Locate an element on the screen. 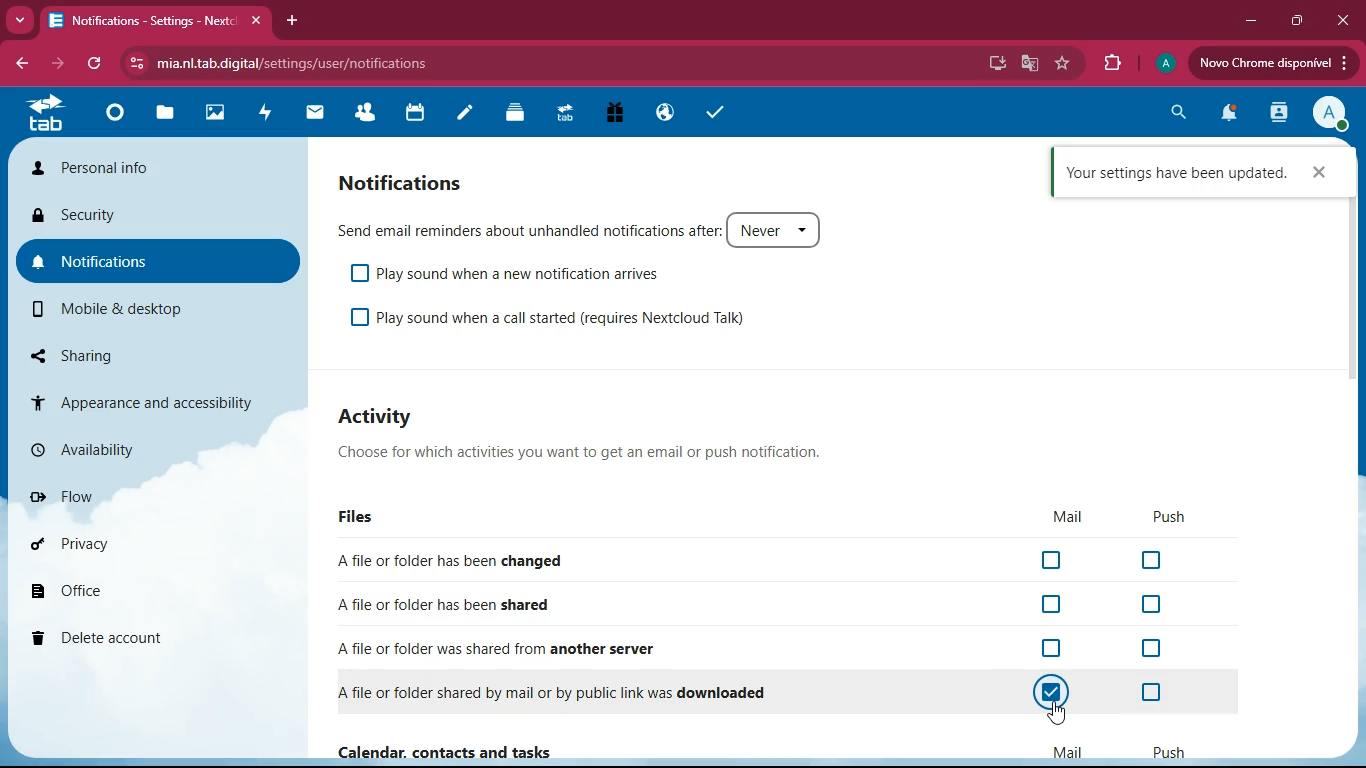  tab is located at coordinates (563, 116).